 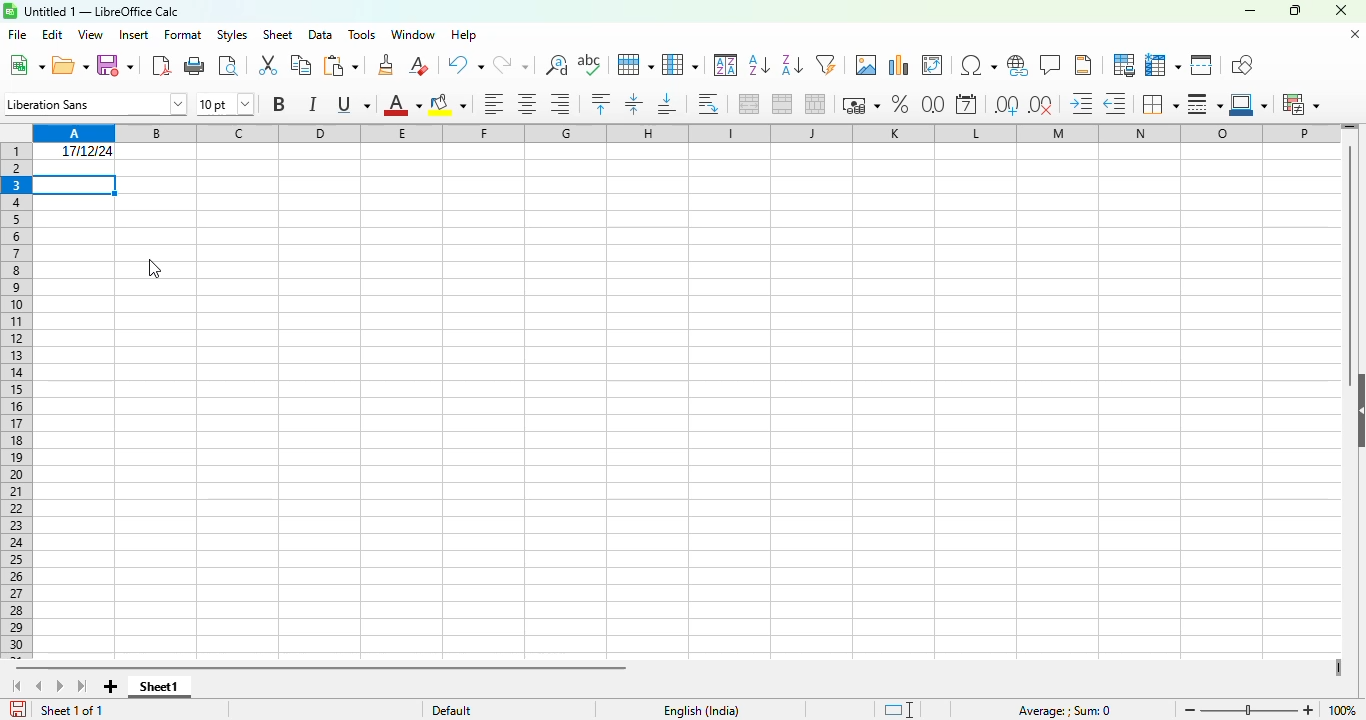 What do you see at coordinates (134, 34) in the screenshot?
I see `insert` at bounding box center [134, 34].